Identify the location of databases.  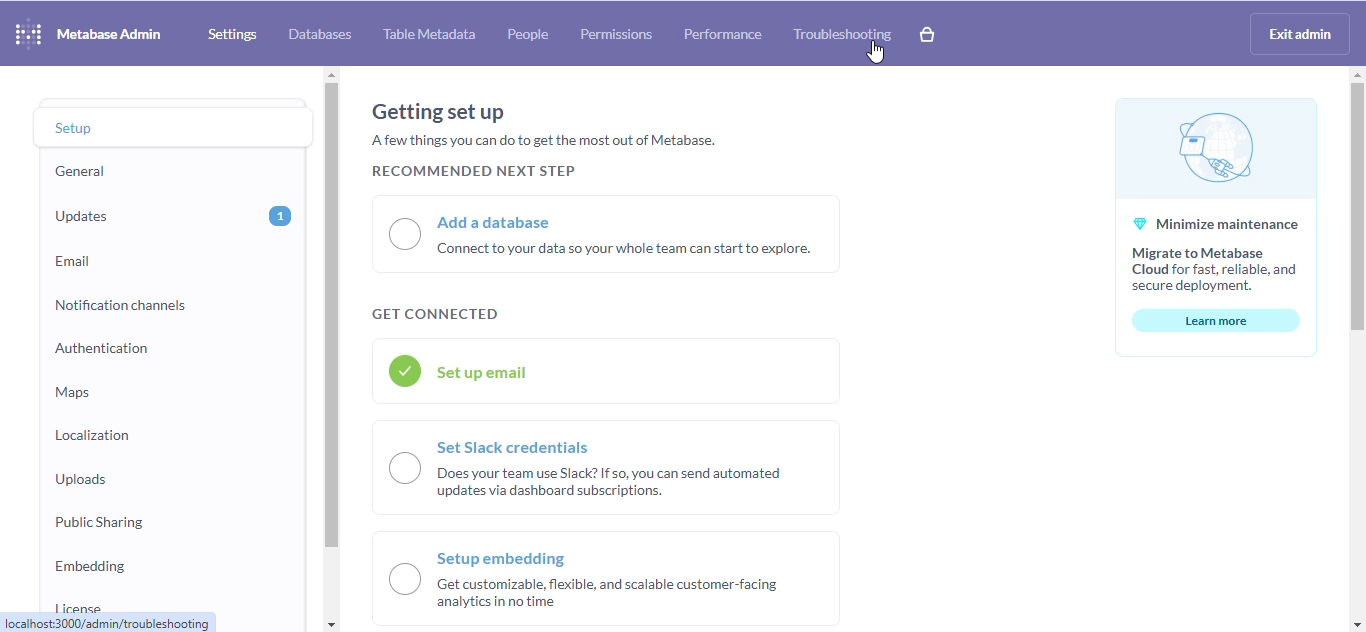
(320, 35).